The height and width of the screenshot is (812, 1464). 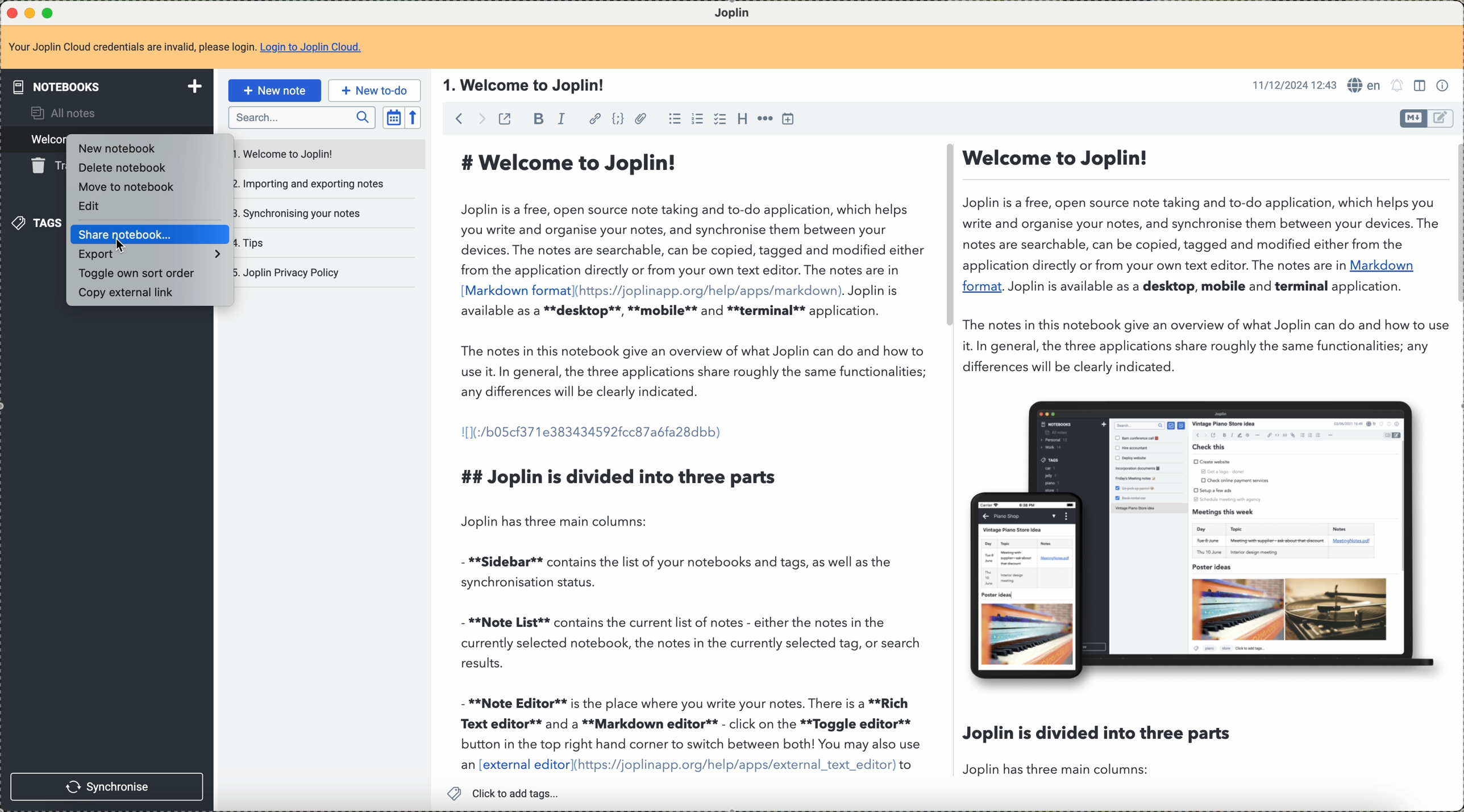 What do you see at coordinates (504, 119) in the screenshot?
I see `toggle external editing` at bounding box center [504, 119].